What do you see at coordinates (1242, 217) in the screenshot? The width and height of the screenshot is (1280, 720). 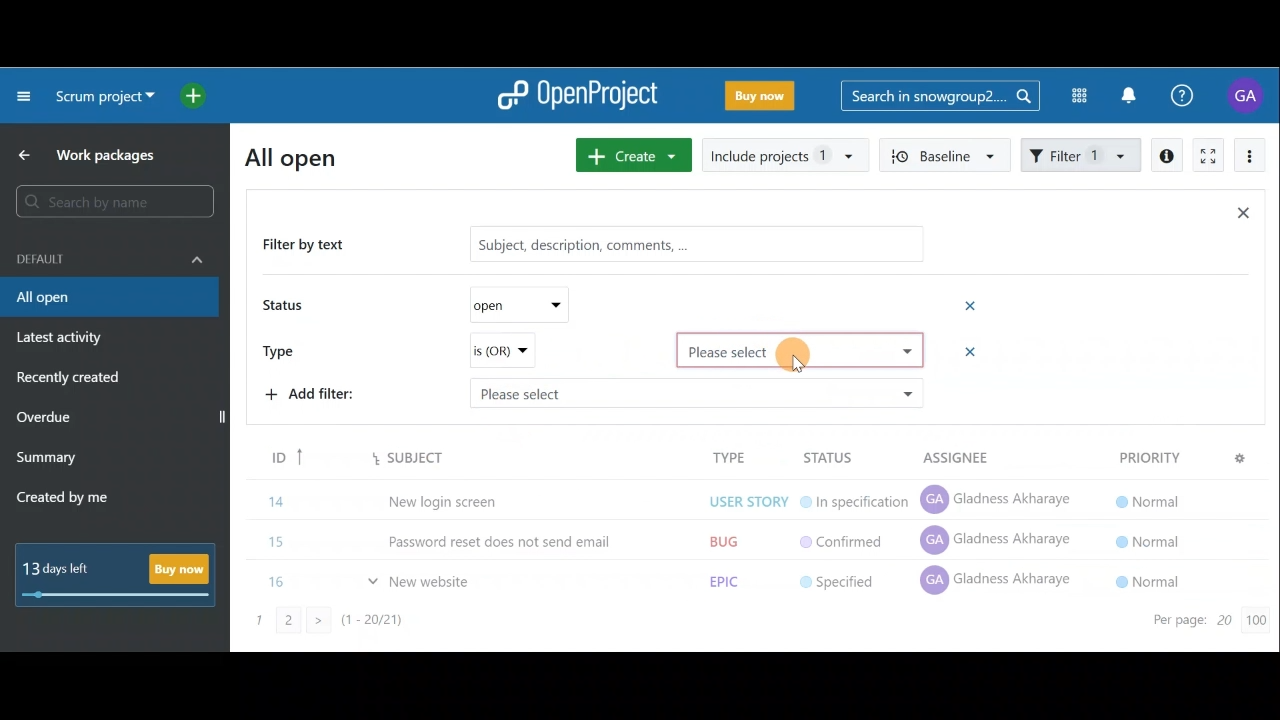 I see `Close` at bounding box center [1242, 217].